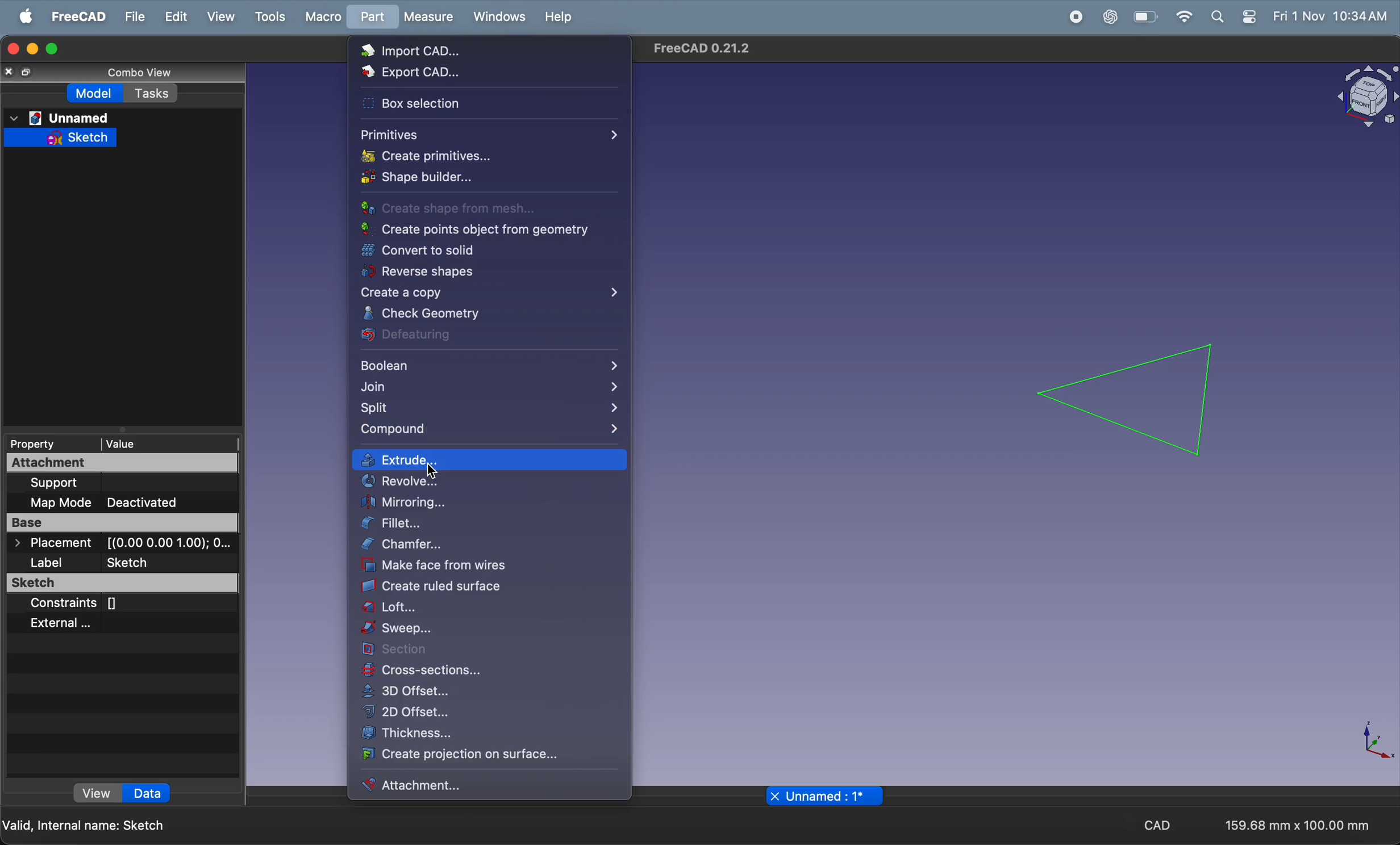  I want to click on combo view, so click(129, 70).